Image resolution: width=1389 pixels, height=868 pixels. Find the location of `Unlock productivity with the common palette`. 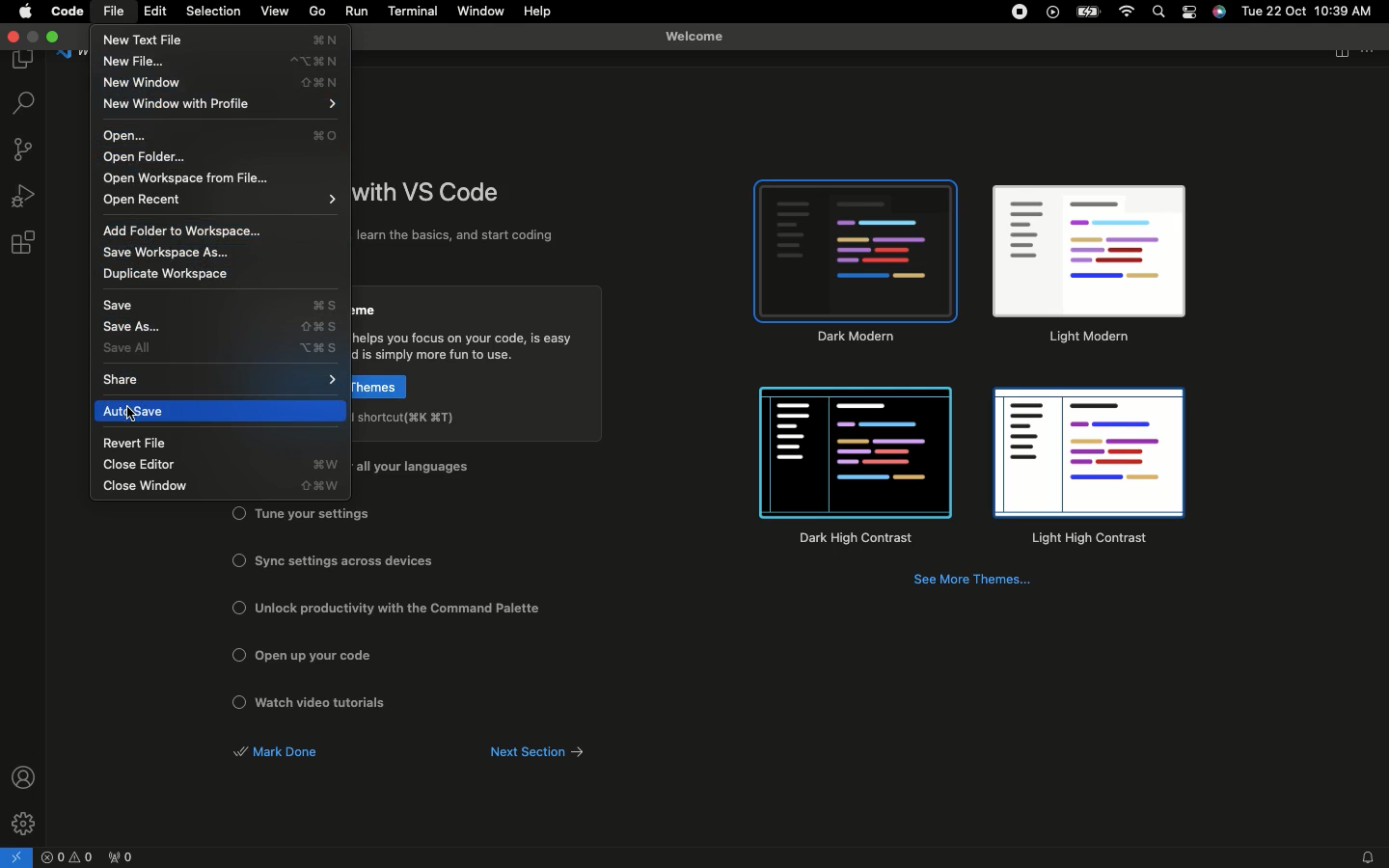

Unlock productivity with the common palette is located at coordinates (404, 609).